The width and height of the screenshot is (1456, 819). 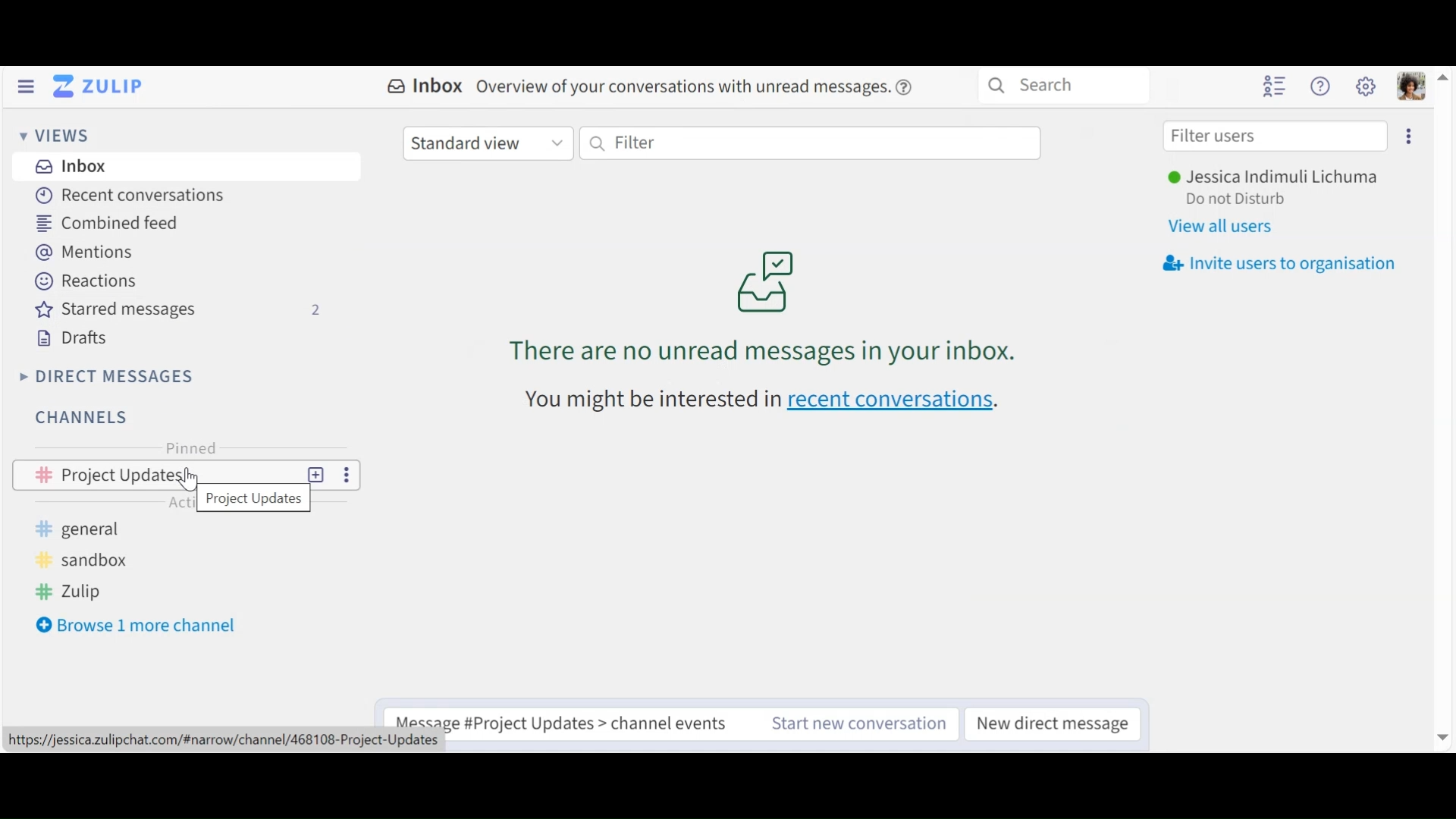 I want to click on project updates, so click(x=253, y=497).